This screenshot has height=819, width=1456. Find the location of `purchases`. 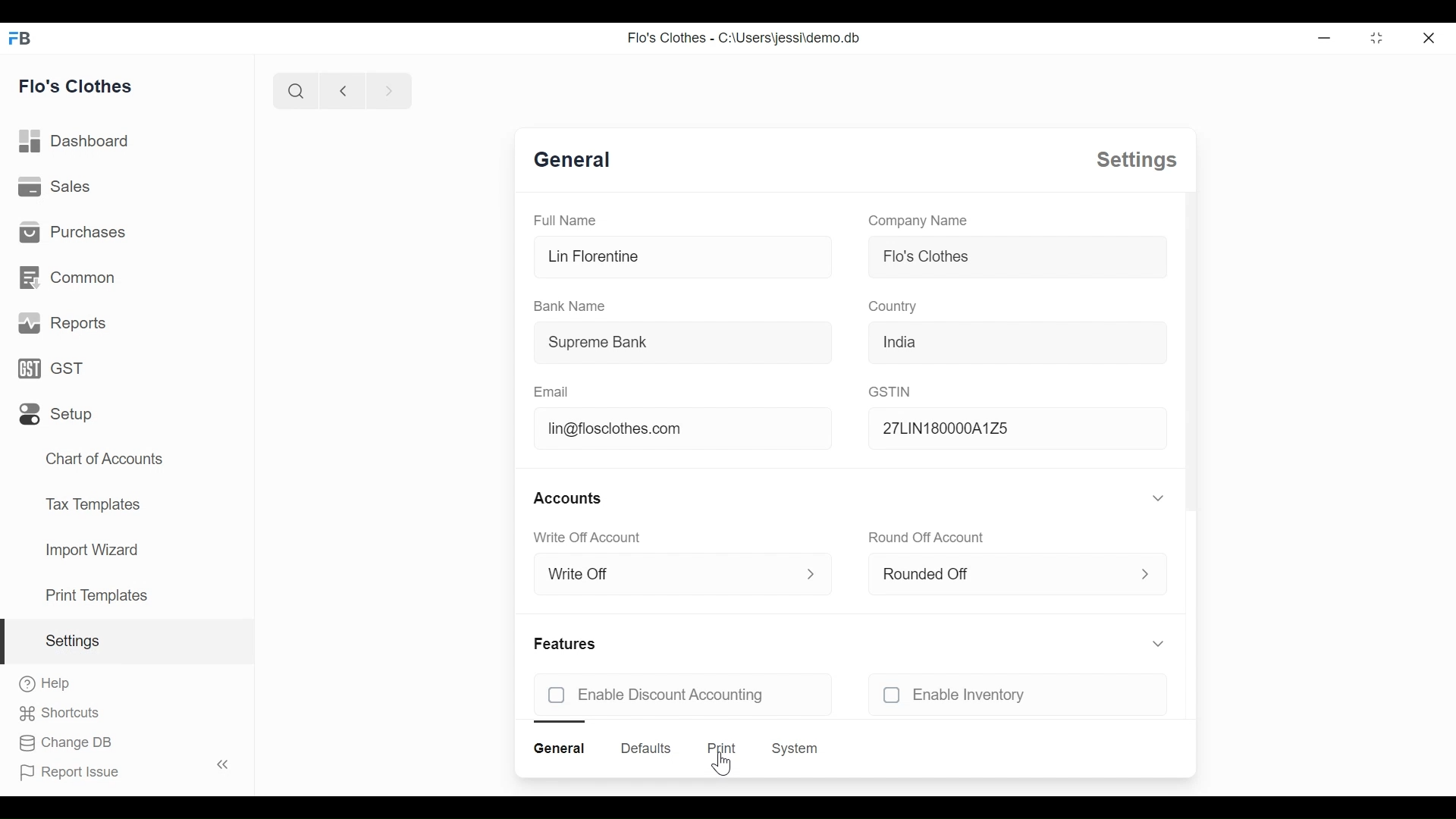

purchases is located at coordinates (71, 231).